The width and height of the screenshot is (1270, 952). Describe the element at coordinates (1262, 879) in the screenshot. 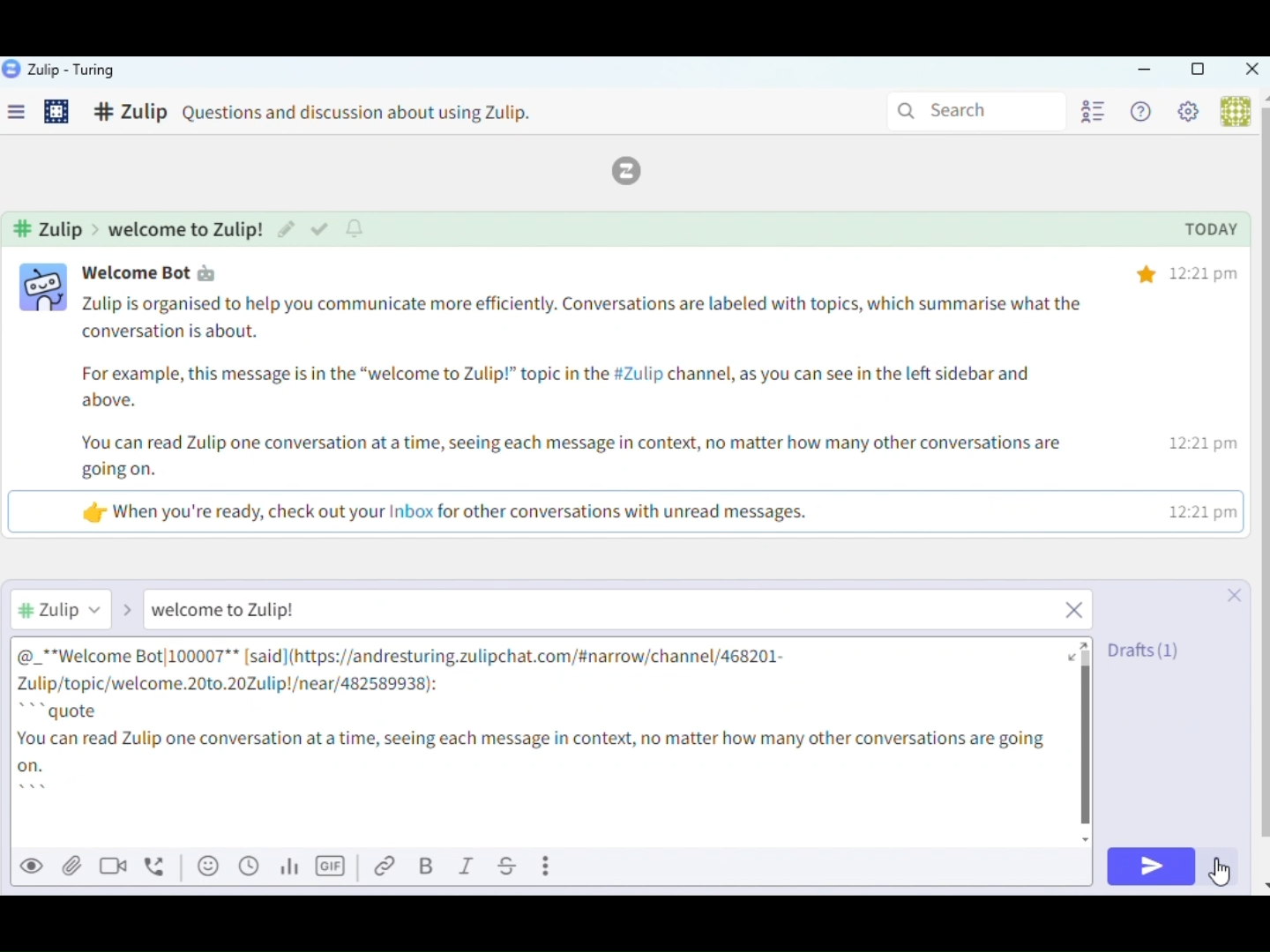

I see `Down` at that location.